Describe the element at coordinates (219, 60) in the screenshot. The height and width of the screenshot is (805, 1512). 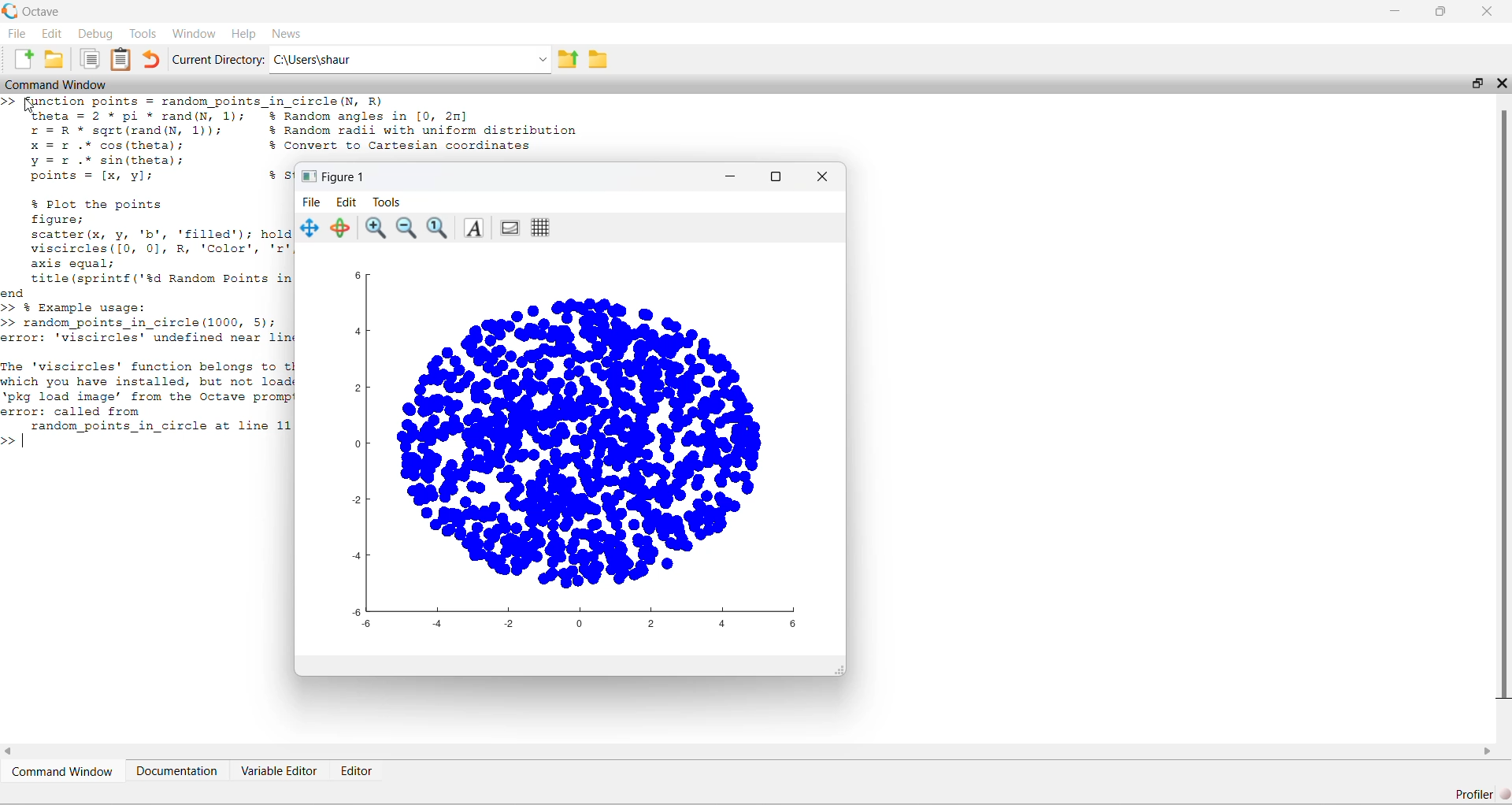
I see `Current Directory:` at that location.